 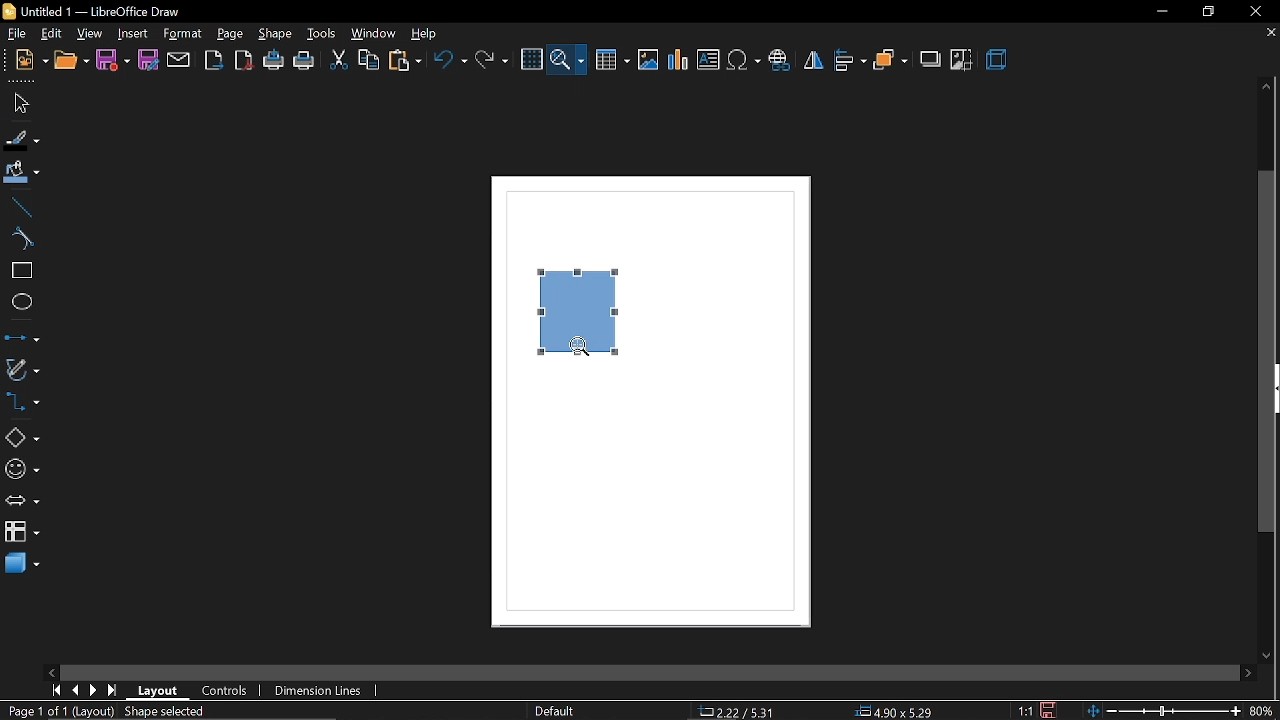 I want to click on line, so click(x=18, y=207).